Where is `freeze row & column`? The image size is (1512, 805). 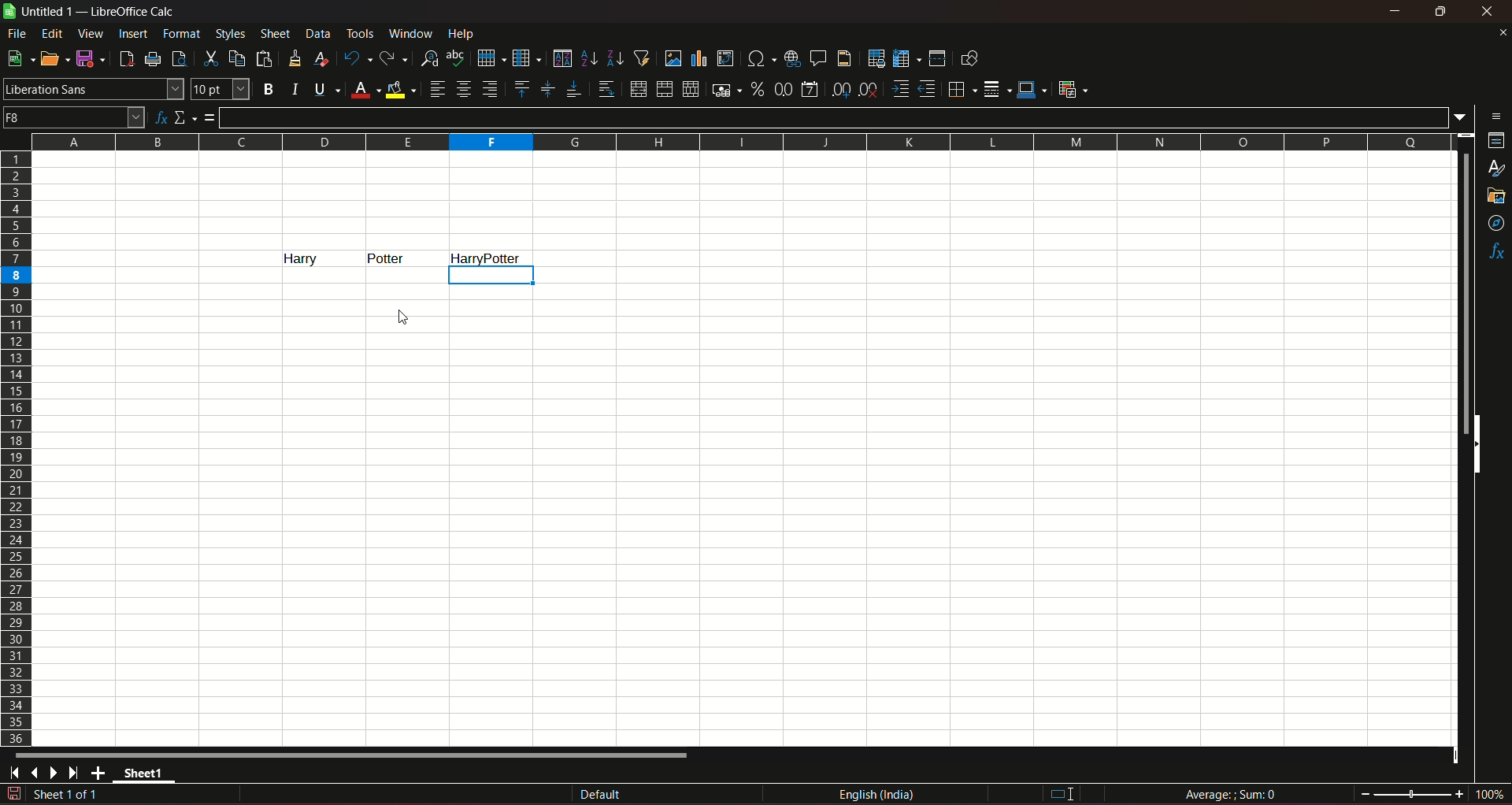
freeze row & column is located at coordinates (906, 59).